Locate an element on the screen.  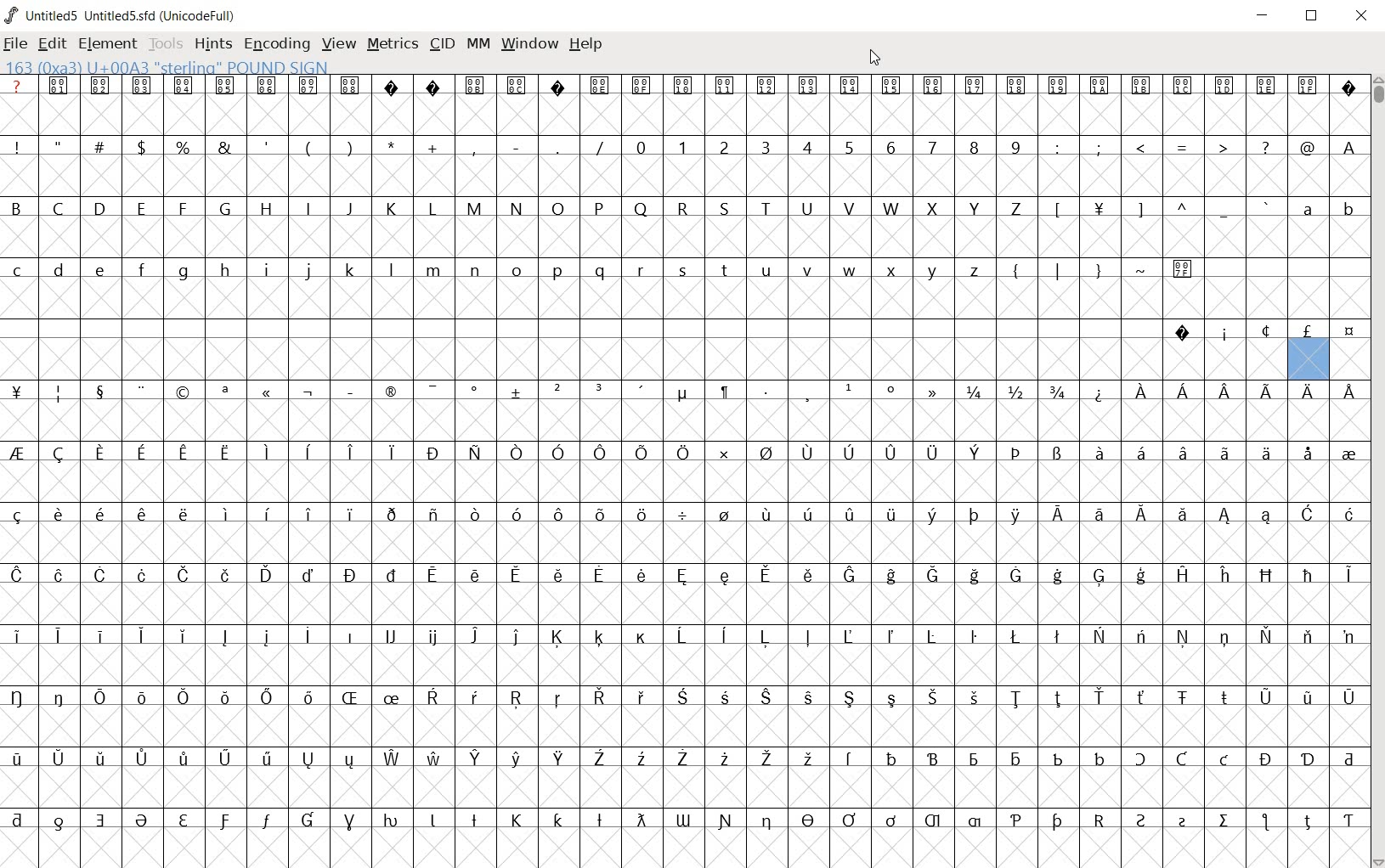
Symbol is located at coordinates (1015, 516).